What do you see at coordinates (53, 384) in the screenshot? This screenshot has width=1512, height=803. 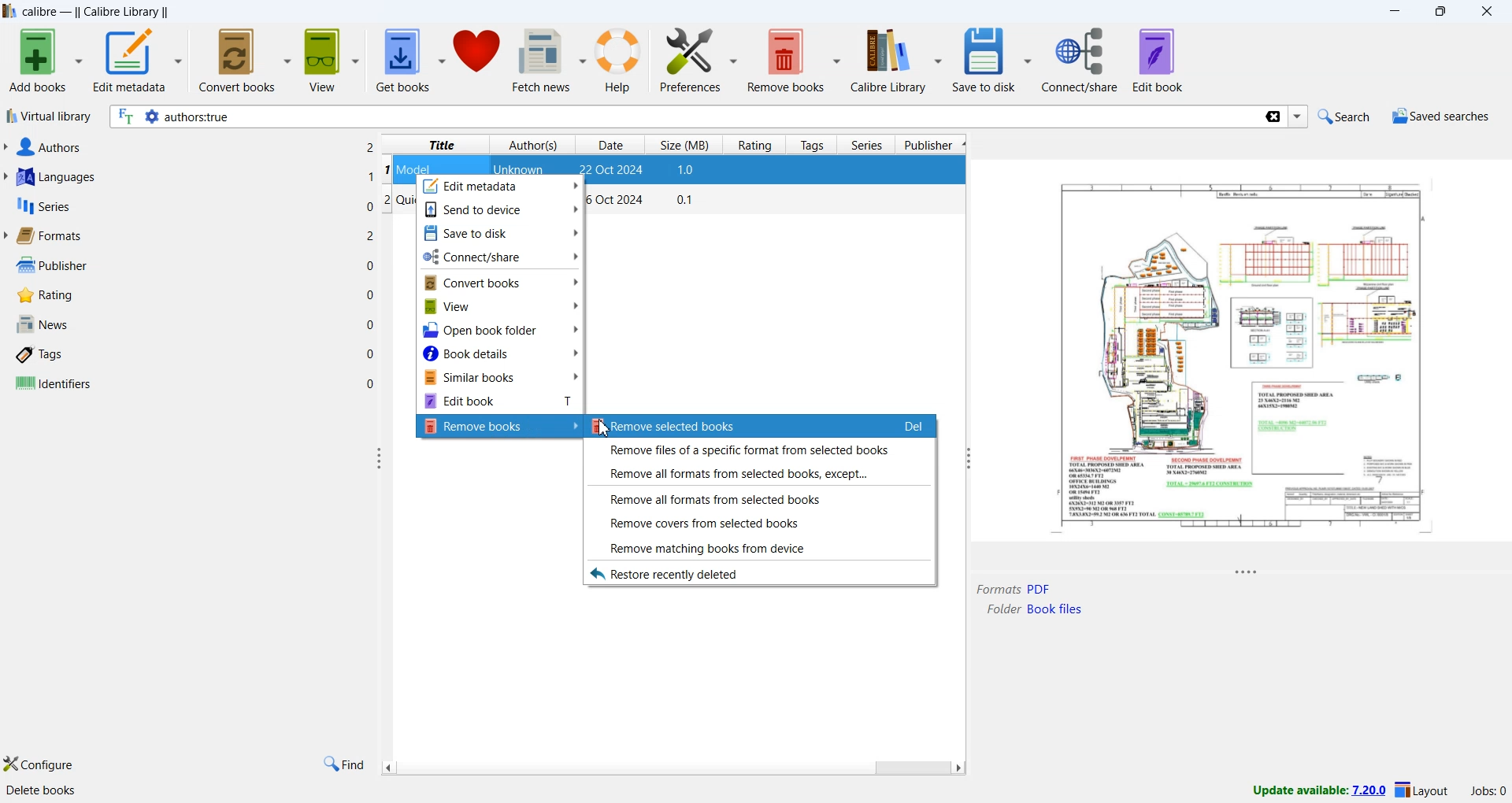 I see `identifiers` at bounding box center [53, 384].